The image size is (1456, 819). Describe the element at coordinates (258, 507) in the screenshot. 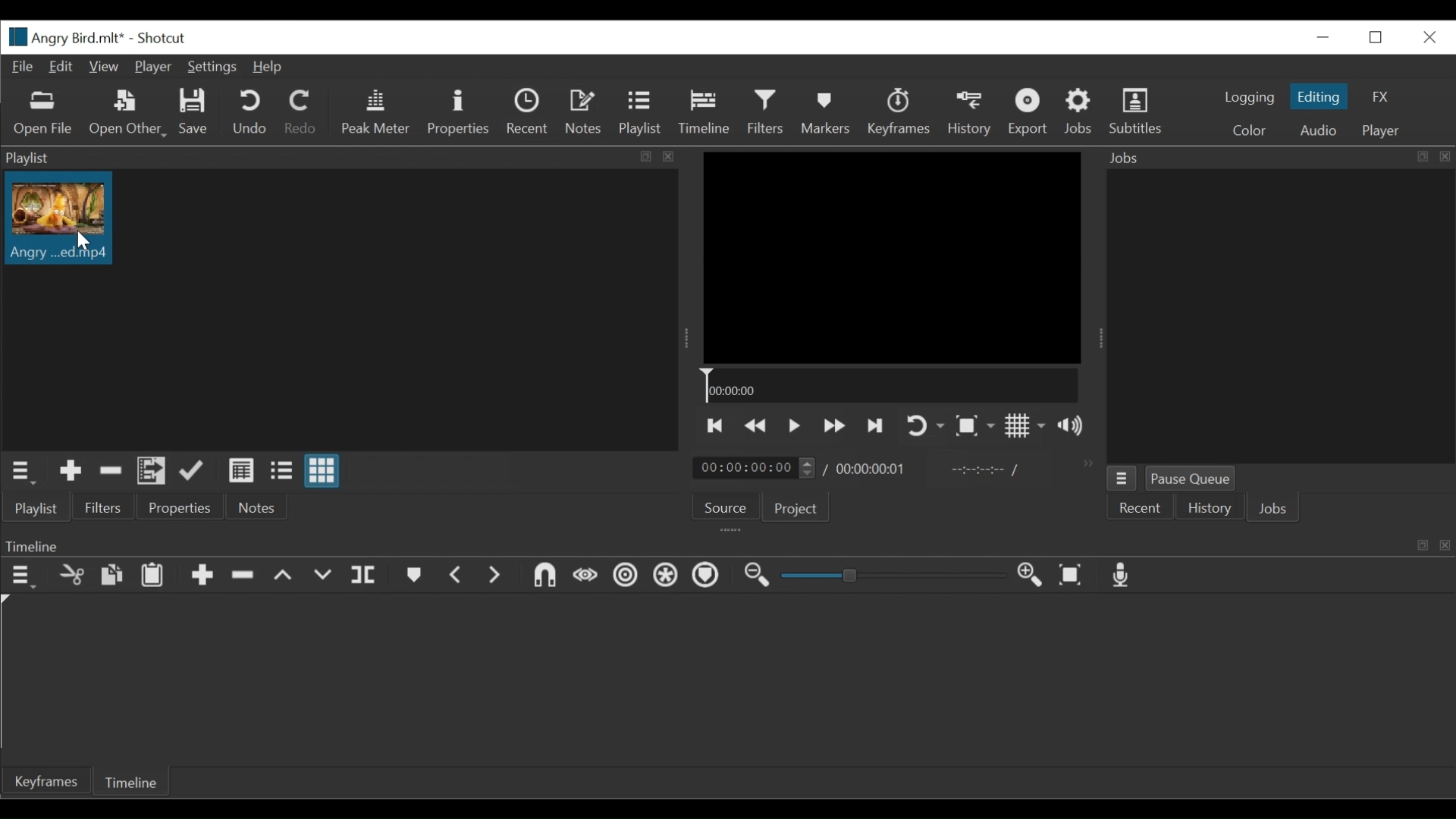

I see `Notes` at that location.